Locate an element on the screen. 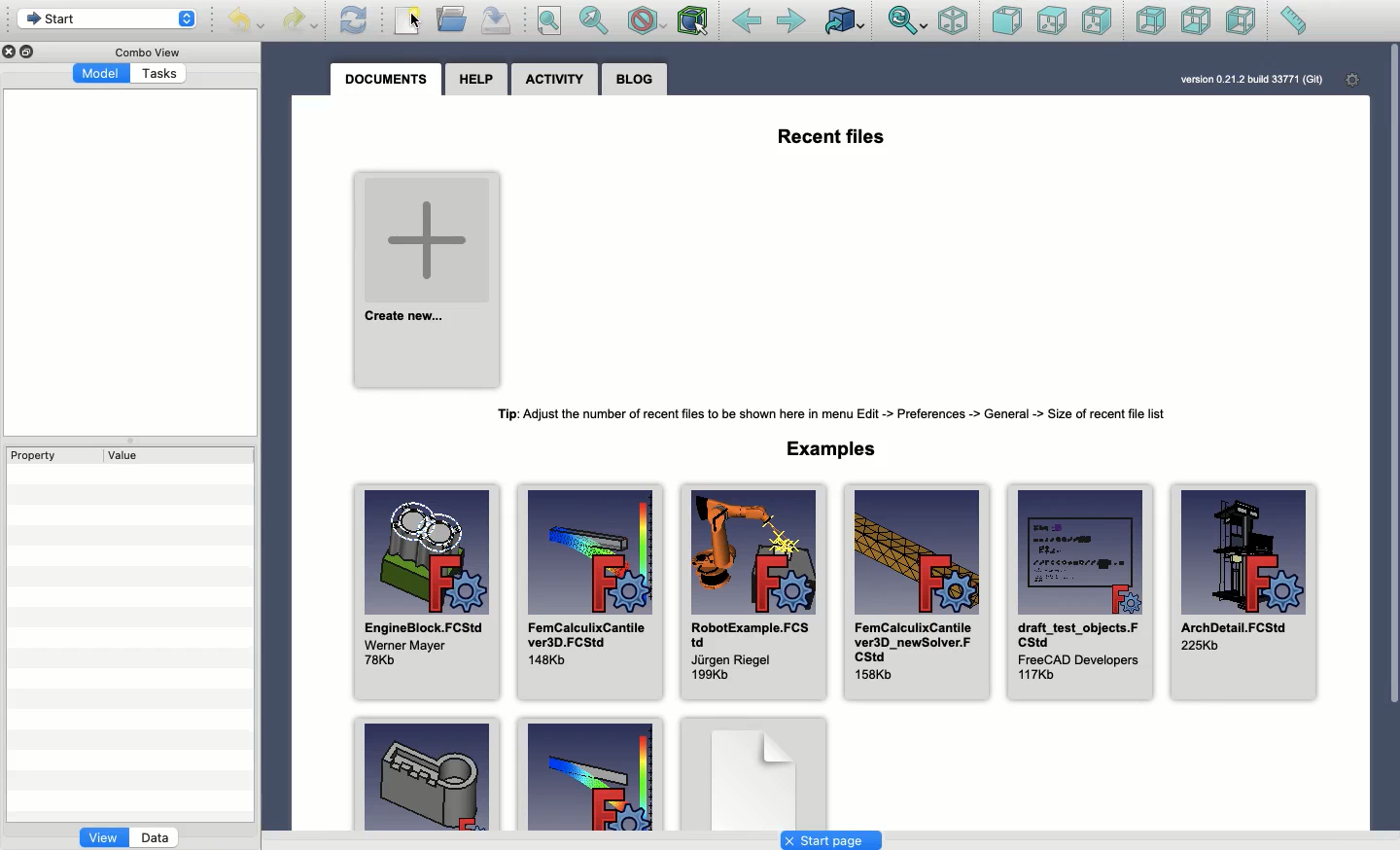 The height and width of the screenshot is (850, 1400). Start page is located at coordinates (835, 838).